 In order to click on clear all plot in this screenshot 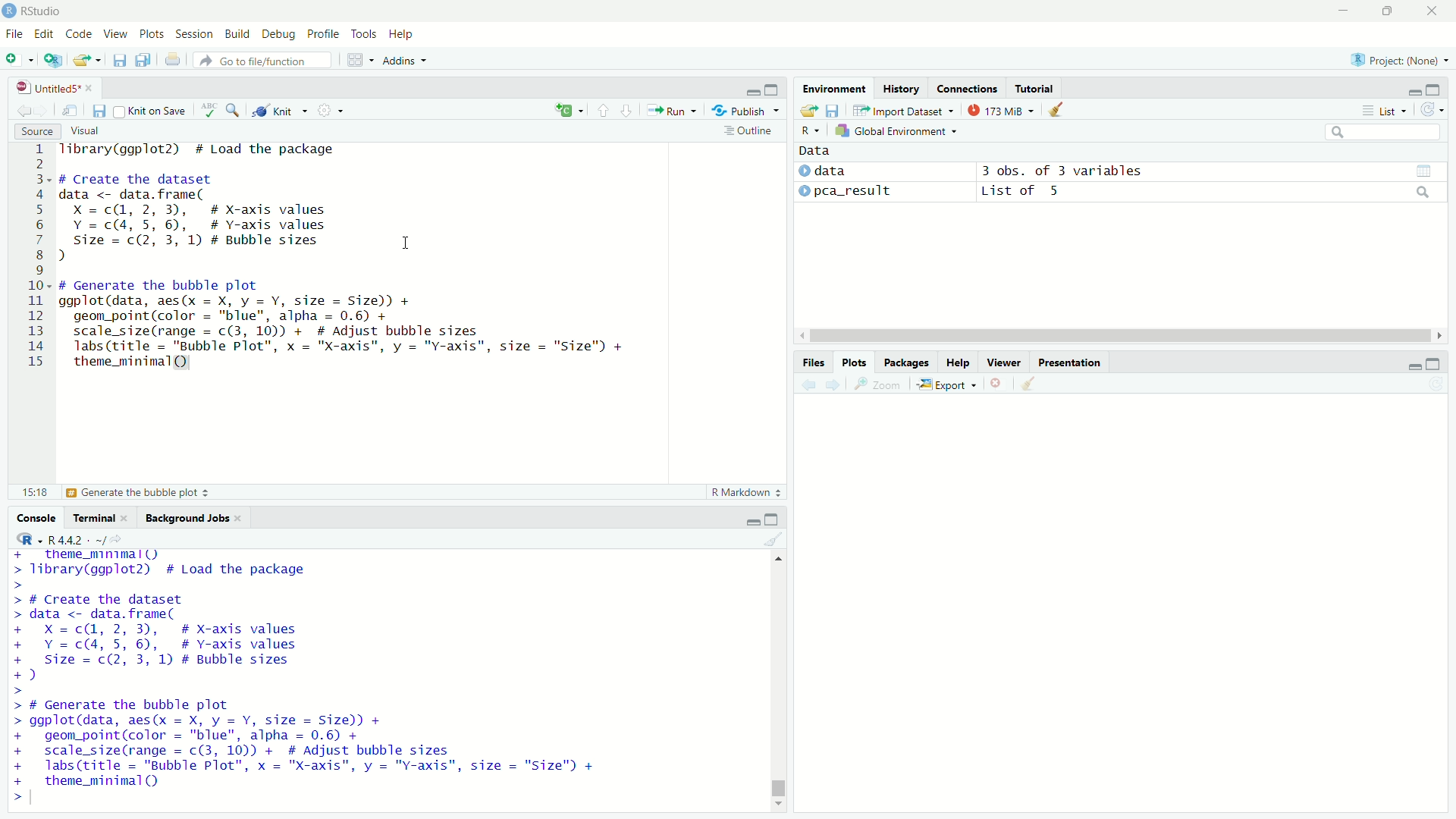, I will do `click(1030, 384)`.